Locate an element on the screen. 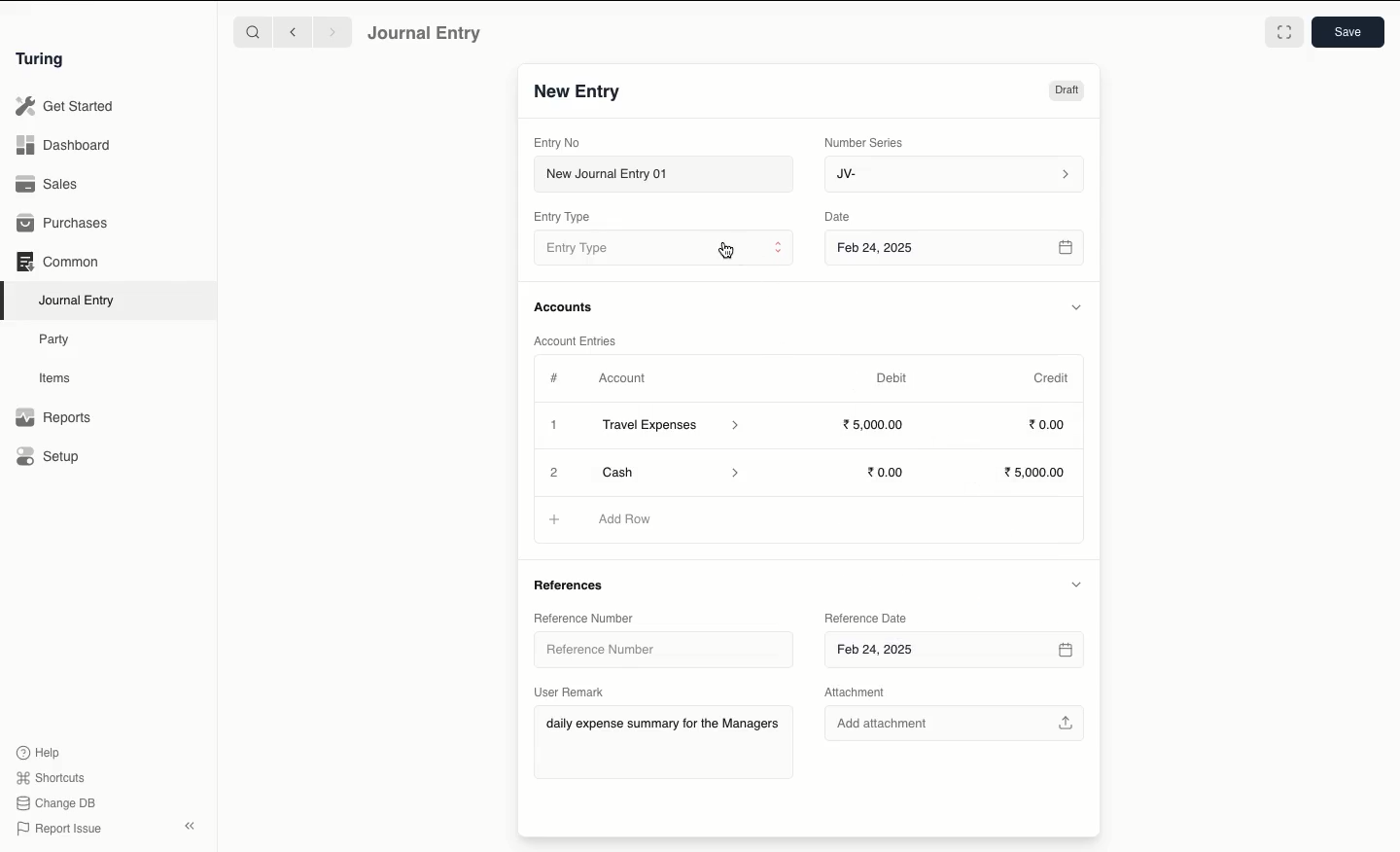 This screenshot has width=1400, height=852. Report Issue is located at coordinates (61, 830).